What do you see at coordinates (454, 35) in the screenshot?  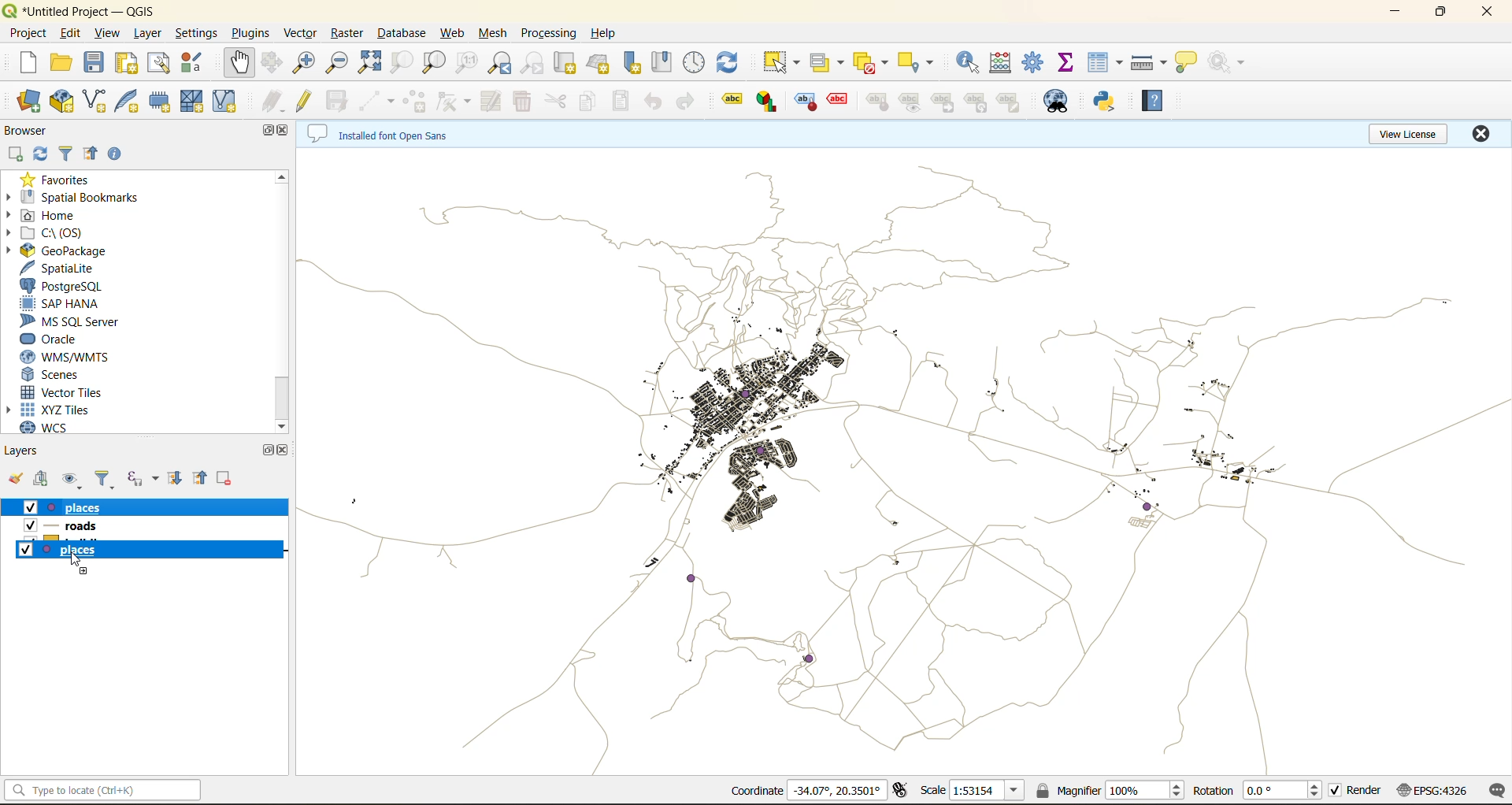 I see `web` at bounding box center [454, 35].